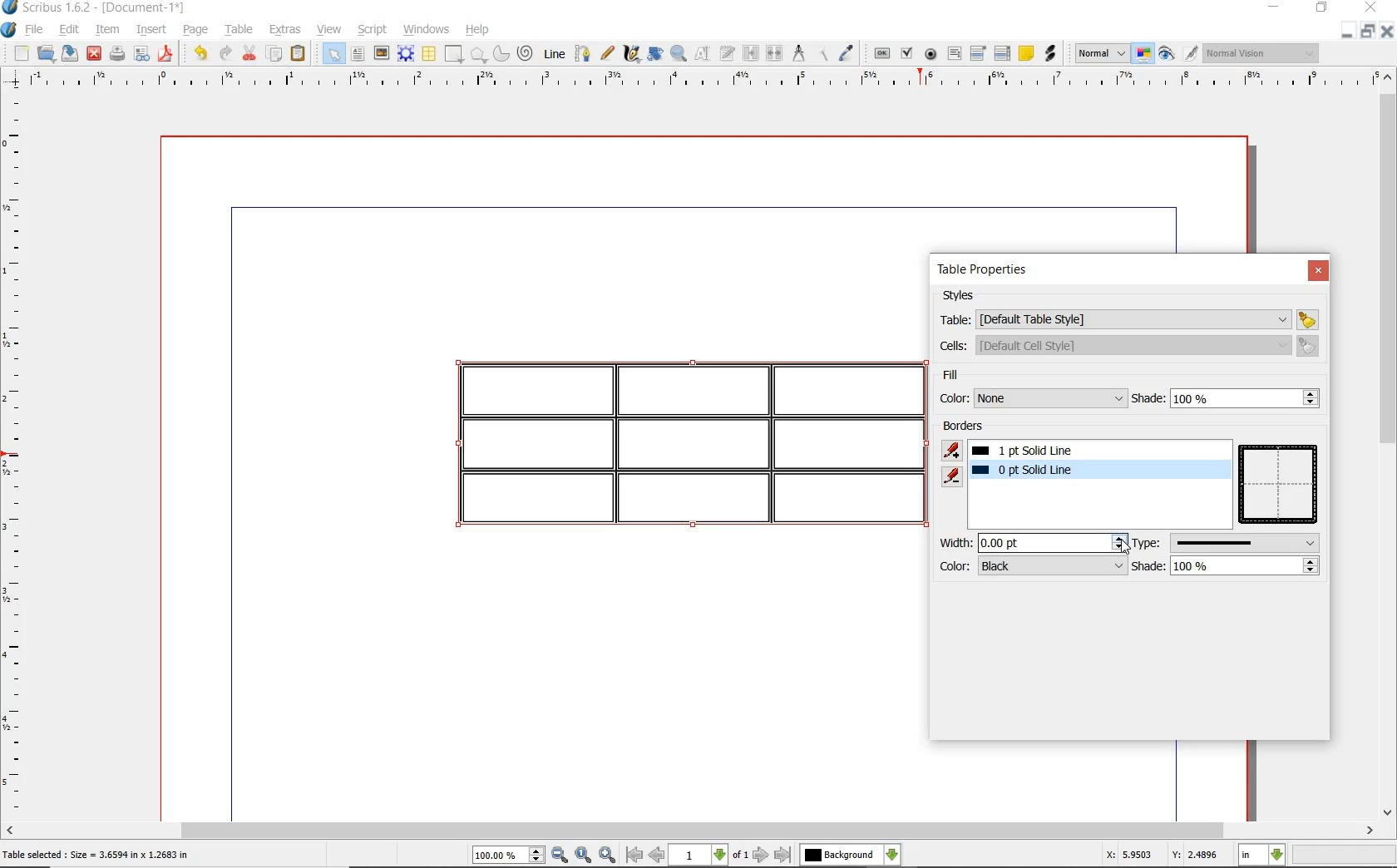  I want to click on select the current layer, so click(852, 853).